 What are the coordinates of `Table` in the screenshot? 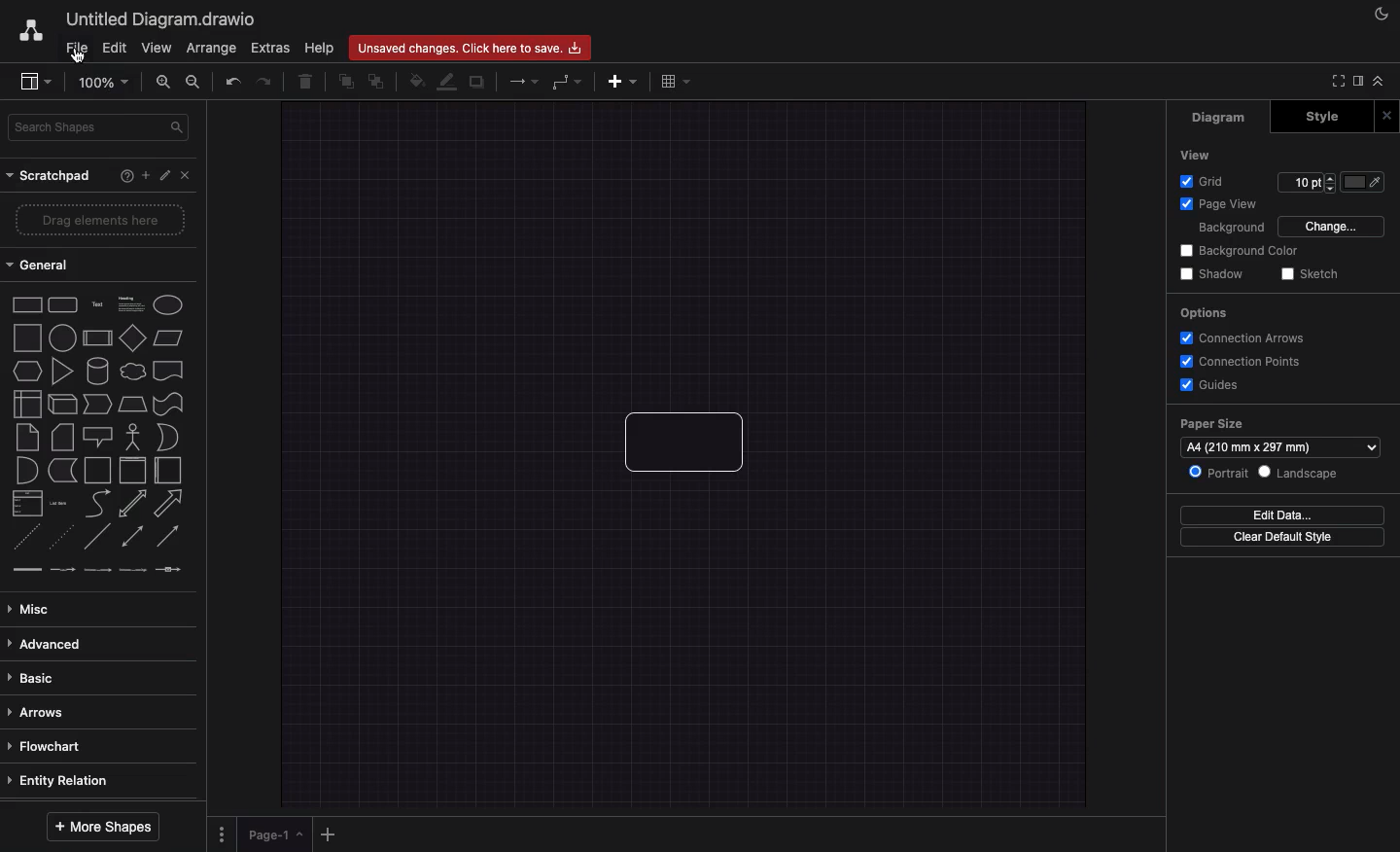 It's located at (676, 81).